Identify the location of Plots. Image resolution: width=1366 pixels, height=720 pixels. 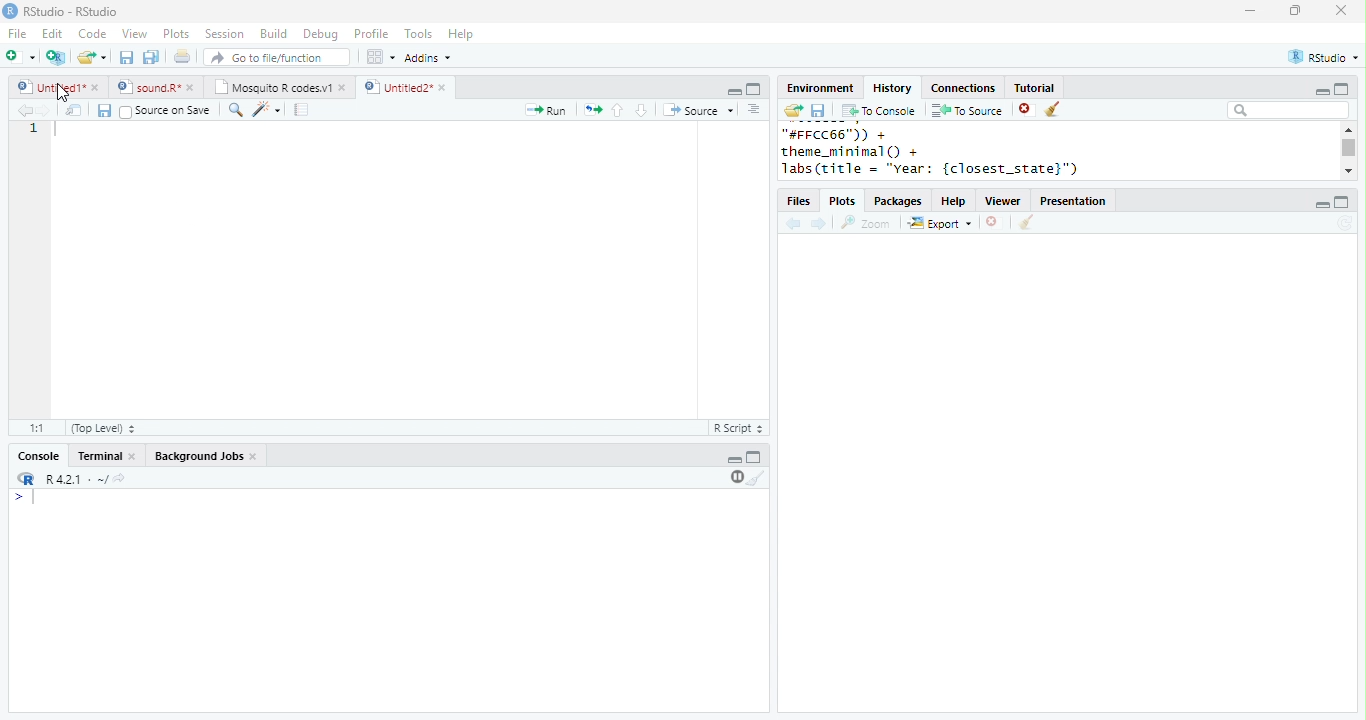
(842, 201).